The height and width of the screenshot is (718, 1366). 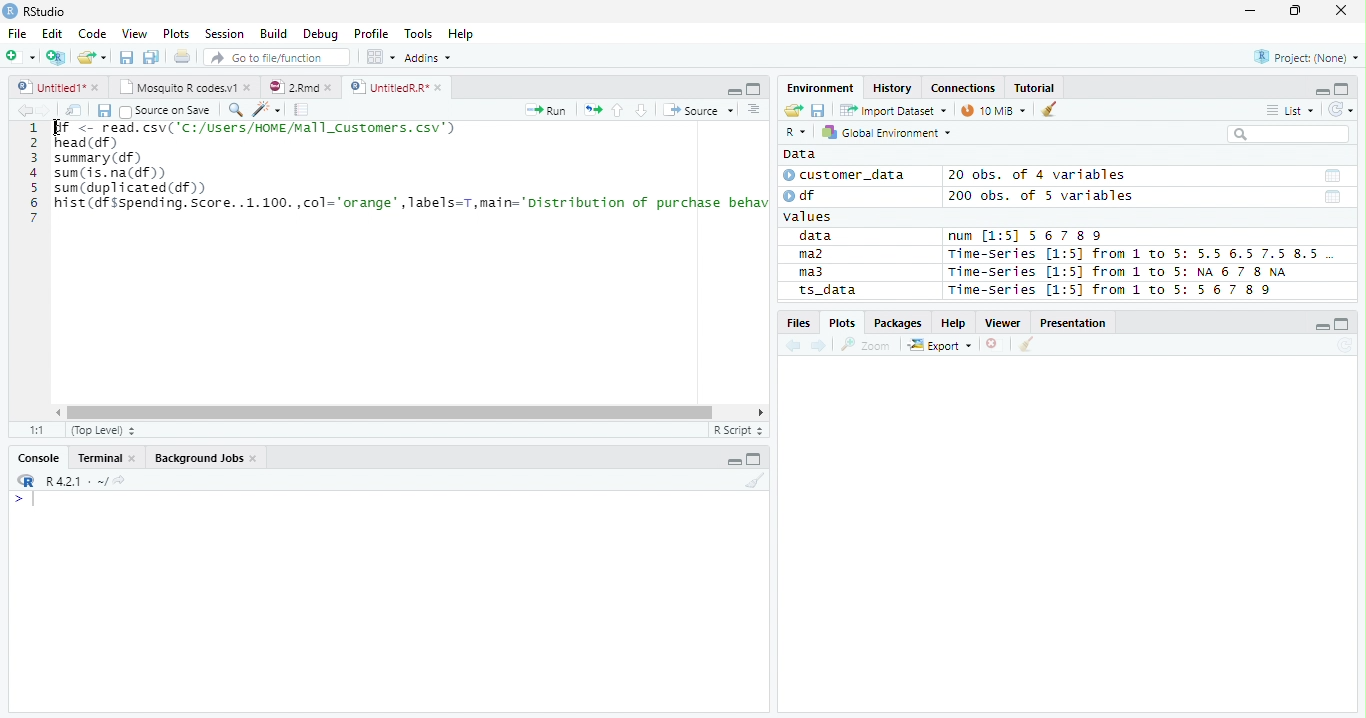 What do you see at coordinates (181, 57) in the screenshot?
I see `Print` at bounding box center [181, 57].